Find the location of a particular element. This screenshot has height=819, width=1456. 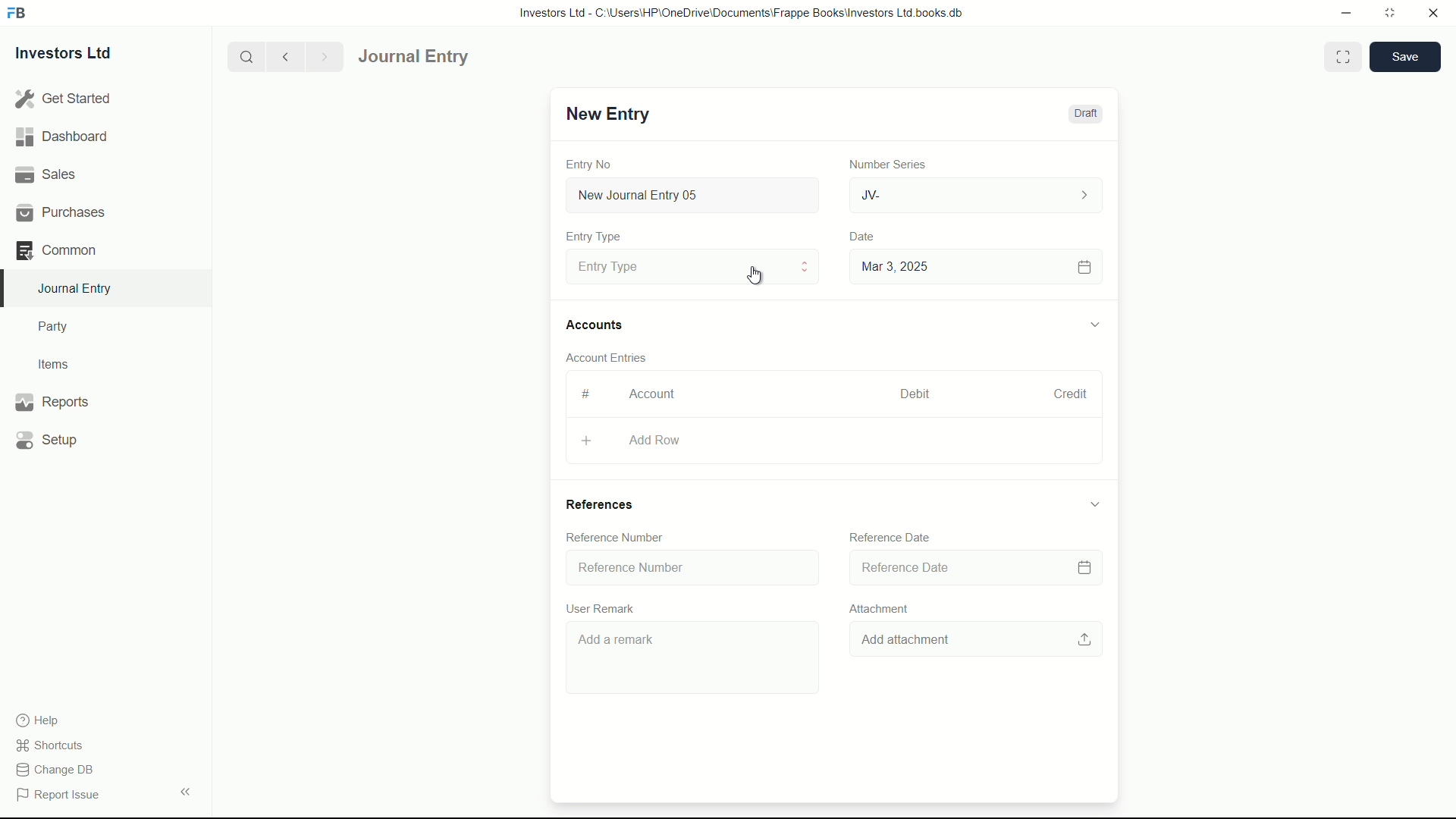

maximize is located at coordinates (1389, 11).